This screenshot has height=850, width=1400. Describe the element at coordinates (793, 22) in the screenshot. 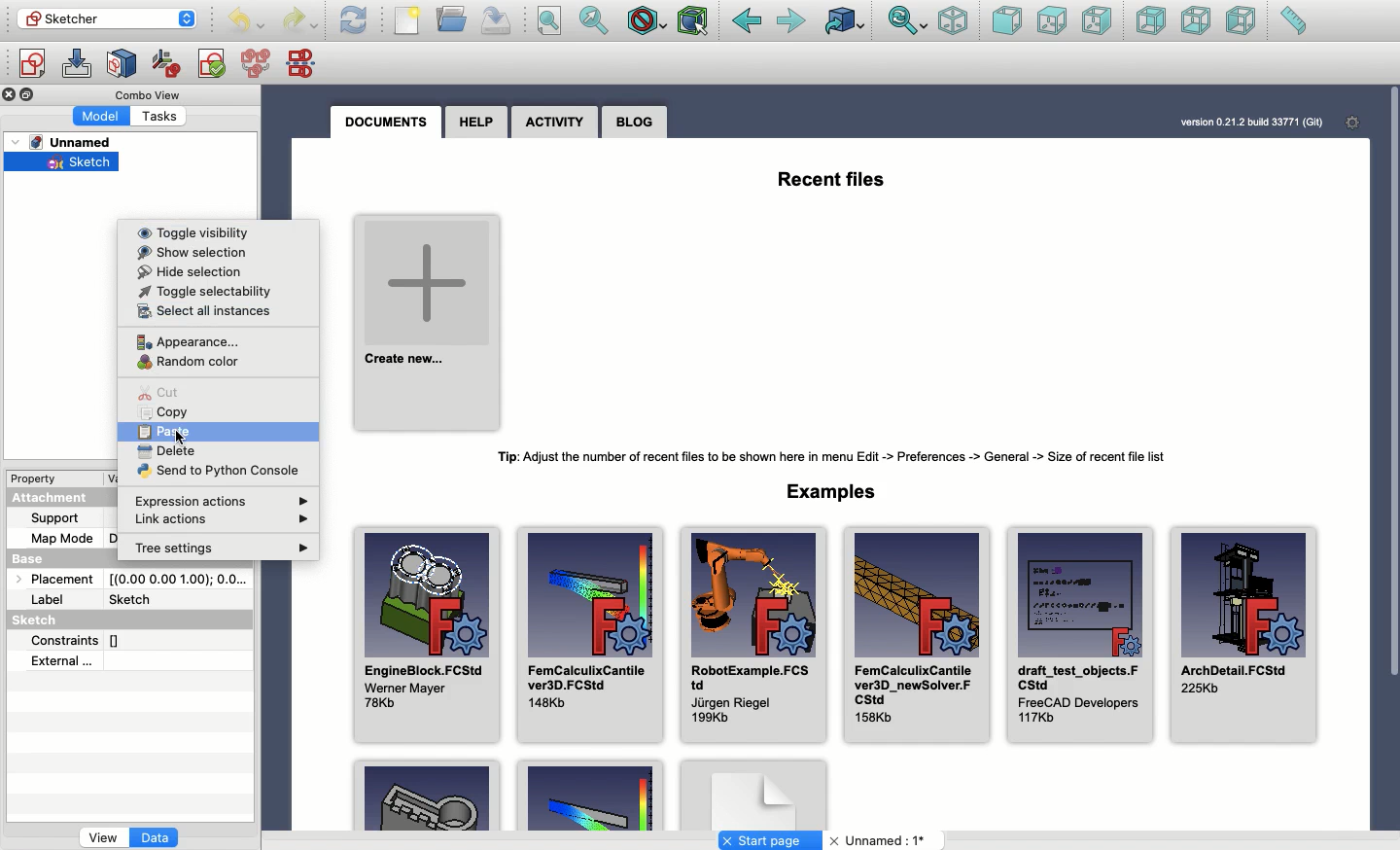

I see `Forward` at that location.